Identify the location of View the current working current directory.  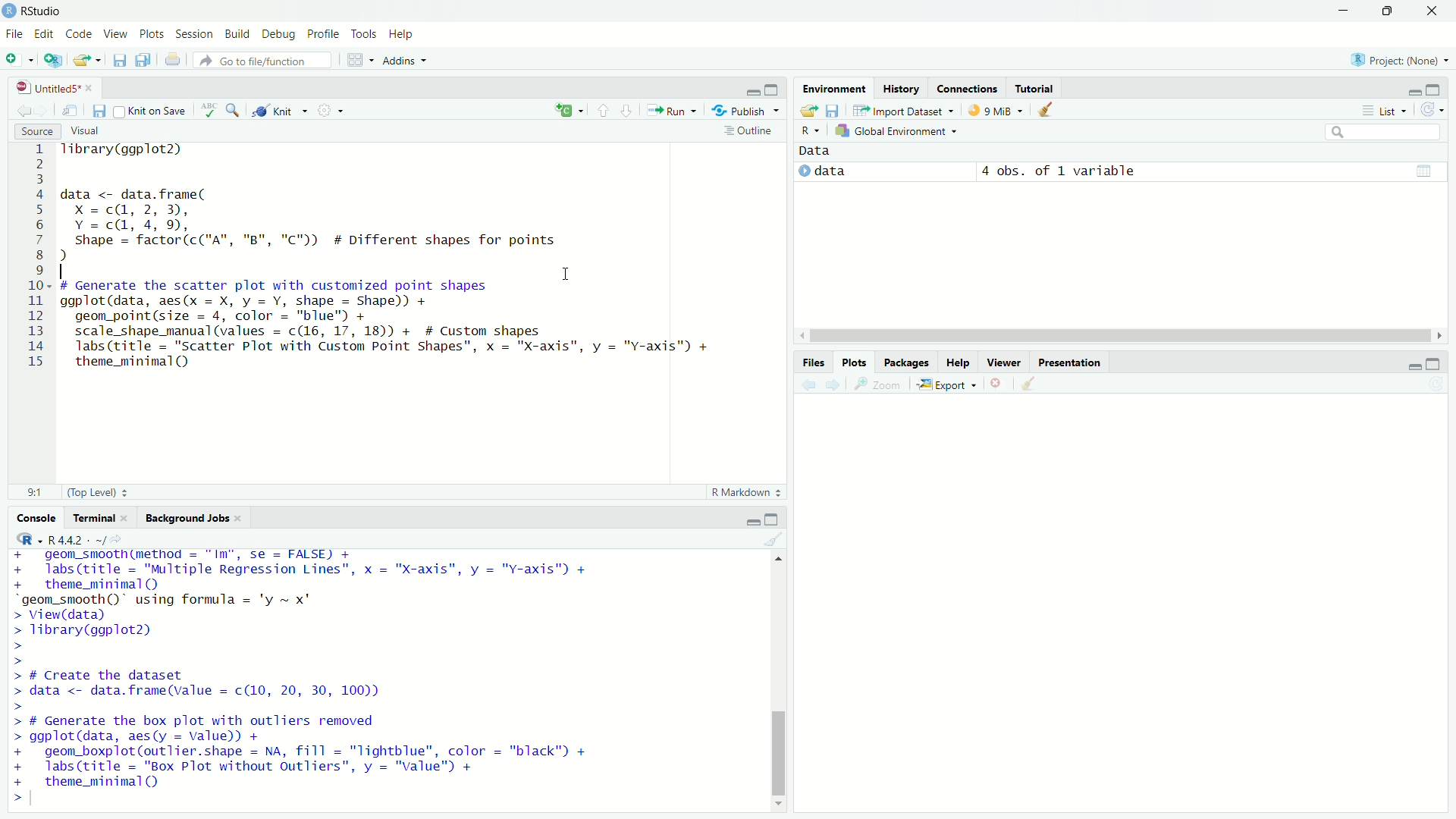
(116, 539).